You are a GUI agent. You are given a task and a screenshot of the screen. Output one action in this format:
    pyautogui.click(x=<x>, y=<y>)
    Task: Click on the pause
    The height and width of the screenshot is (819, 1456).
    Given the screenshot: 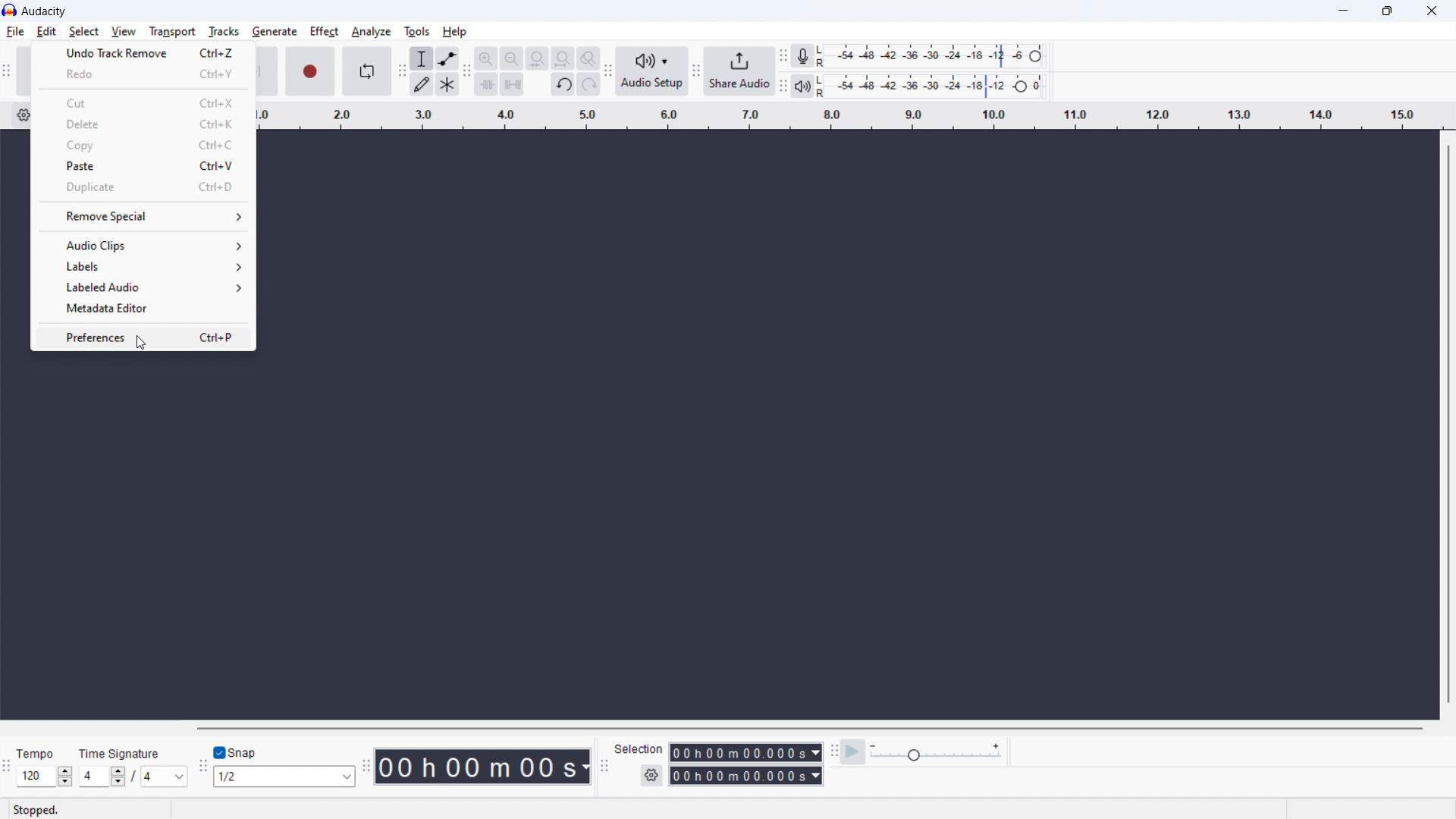 What is the action you would take?
    pyautogui.click(x=25, y=71)
    